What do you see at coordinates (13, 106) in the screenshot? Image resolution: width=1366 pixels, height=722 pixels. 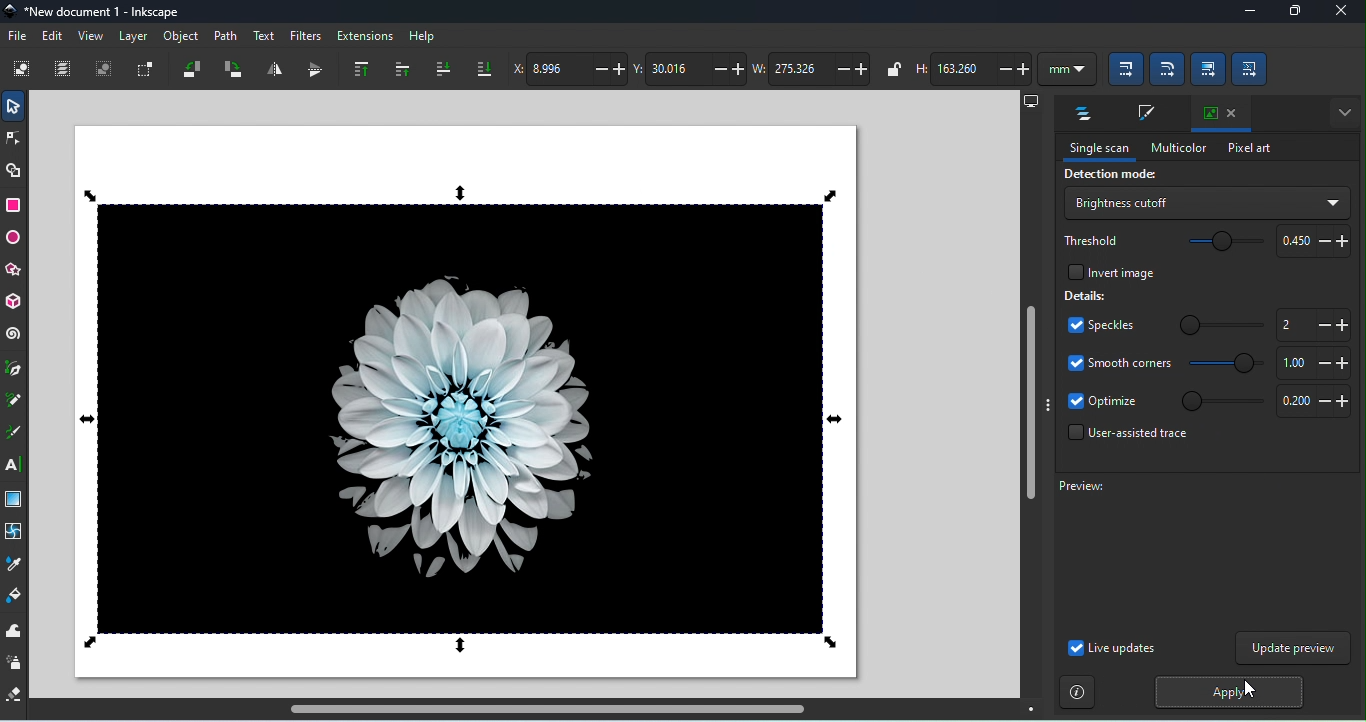 I see `Selector tool` at bounding box center [13, 106].